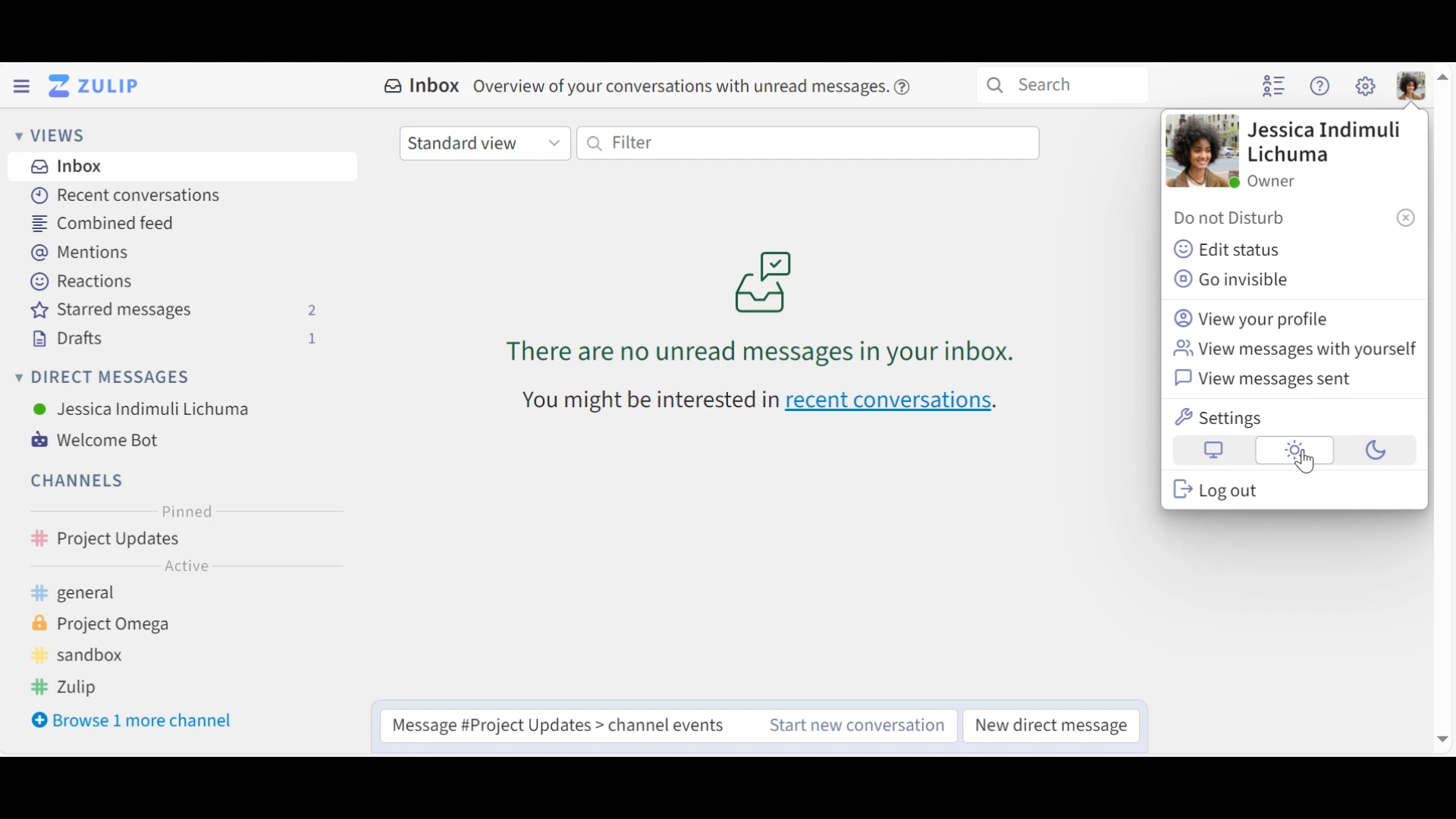  I want to click on Edit Status, so click(1228, 248).